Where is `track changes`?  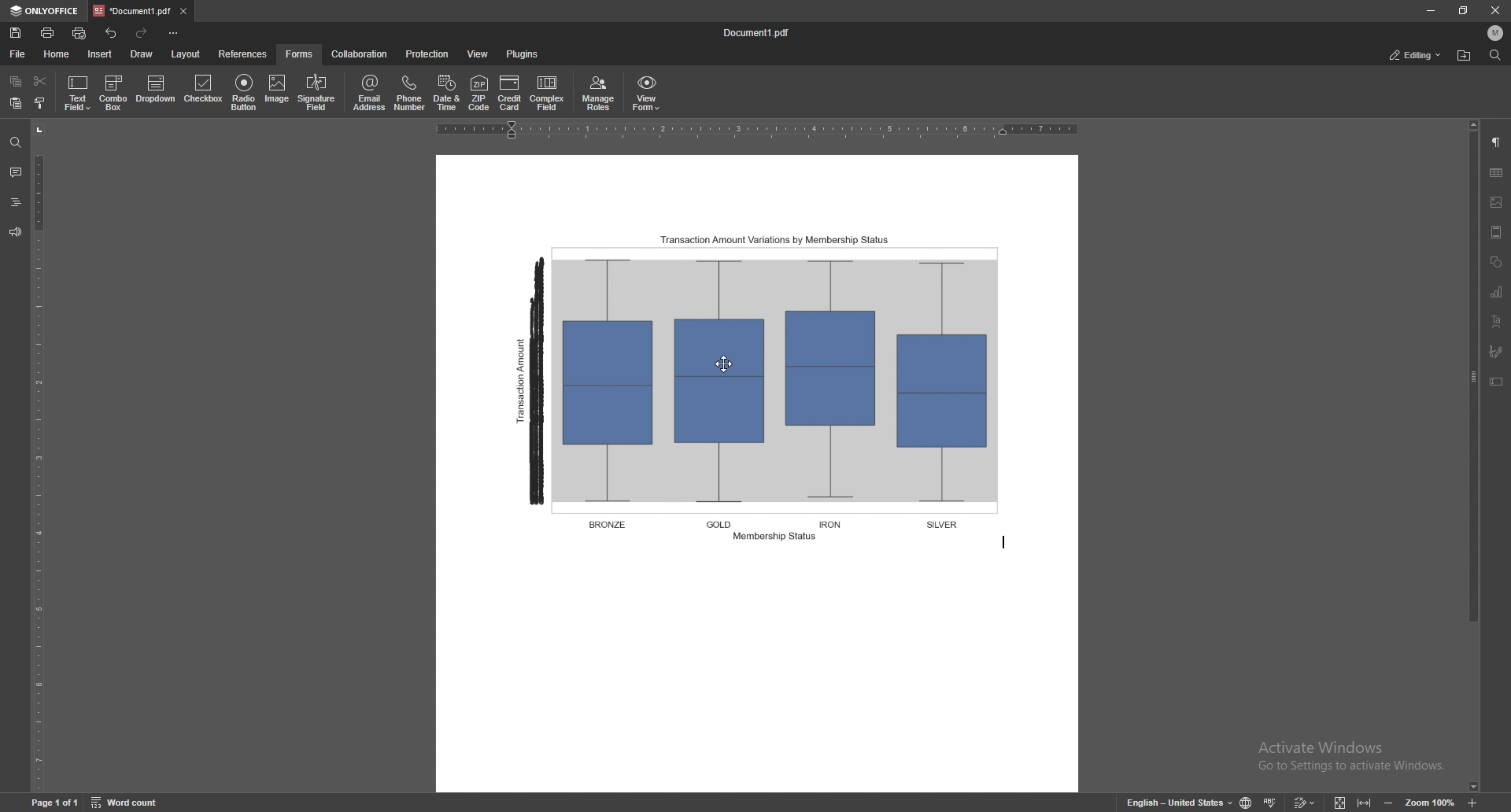
track changes is located at coordinates (1305, 802).